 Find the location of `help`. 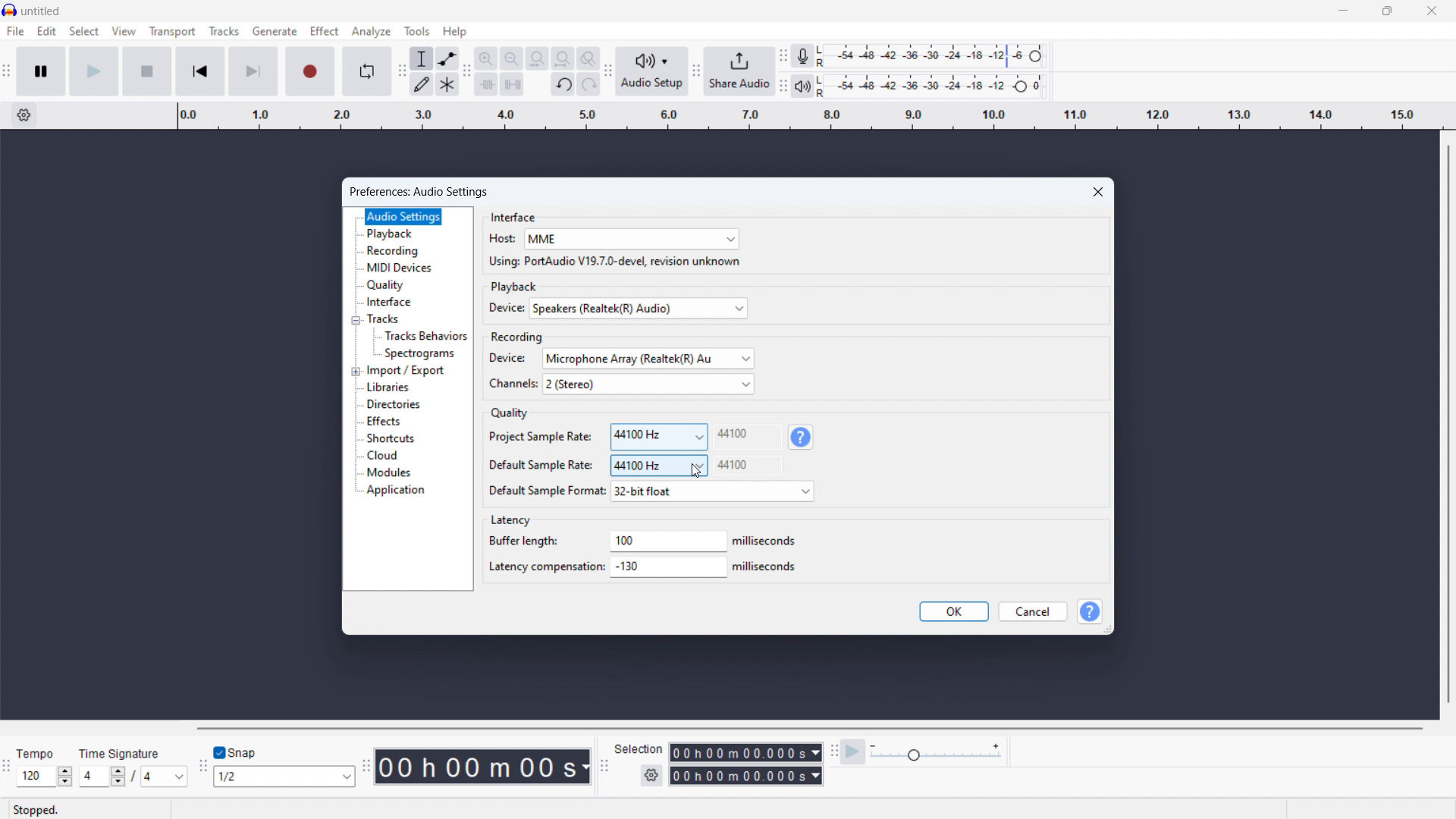

help is located at coordinates (455, 31).